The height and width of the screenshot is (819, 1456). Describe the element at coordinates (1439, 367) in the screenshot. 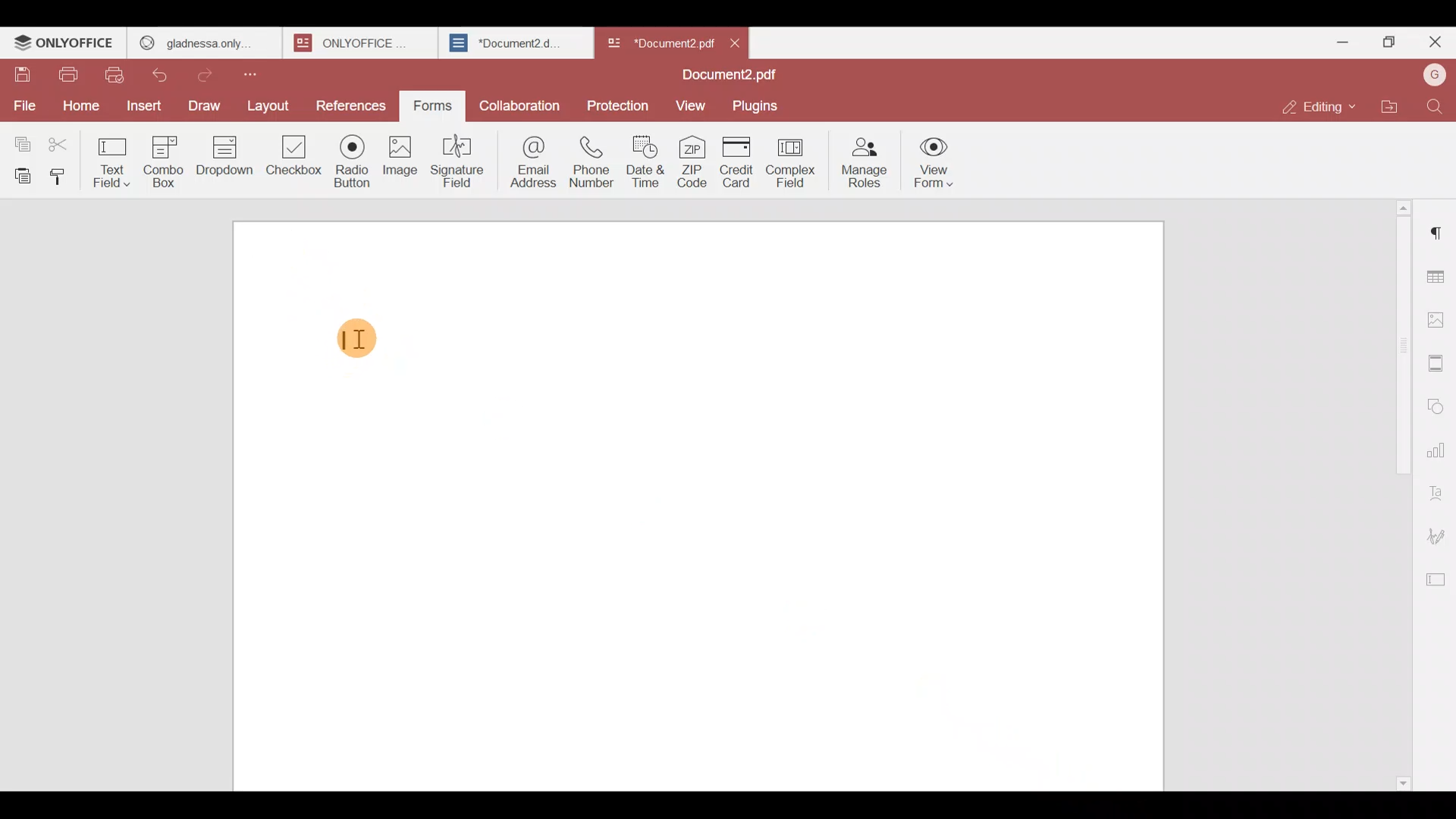

I see `Header & footer settings` at that location.